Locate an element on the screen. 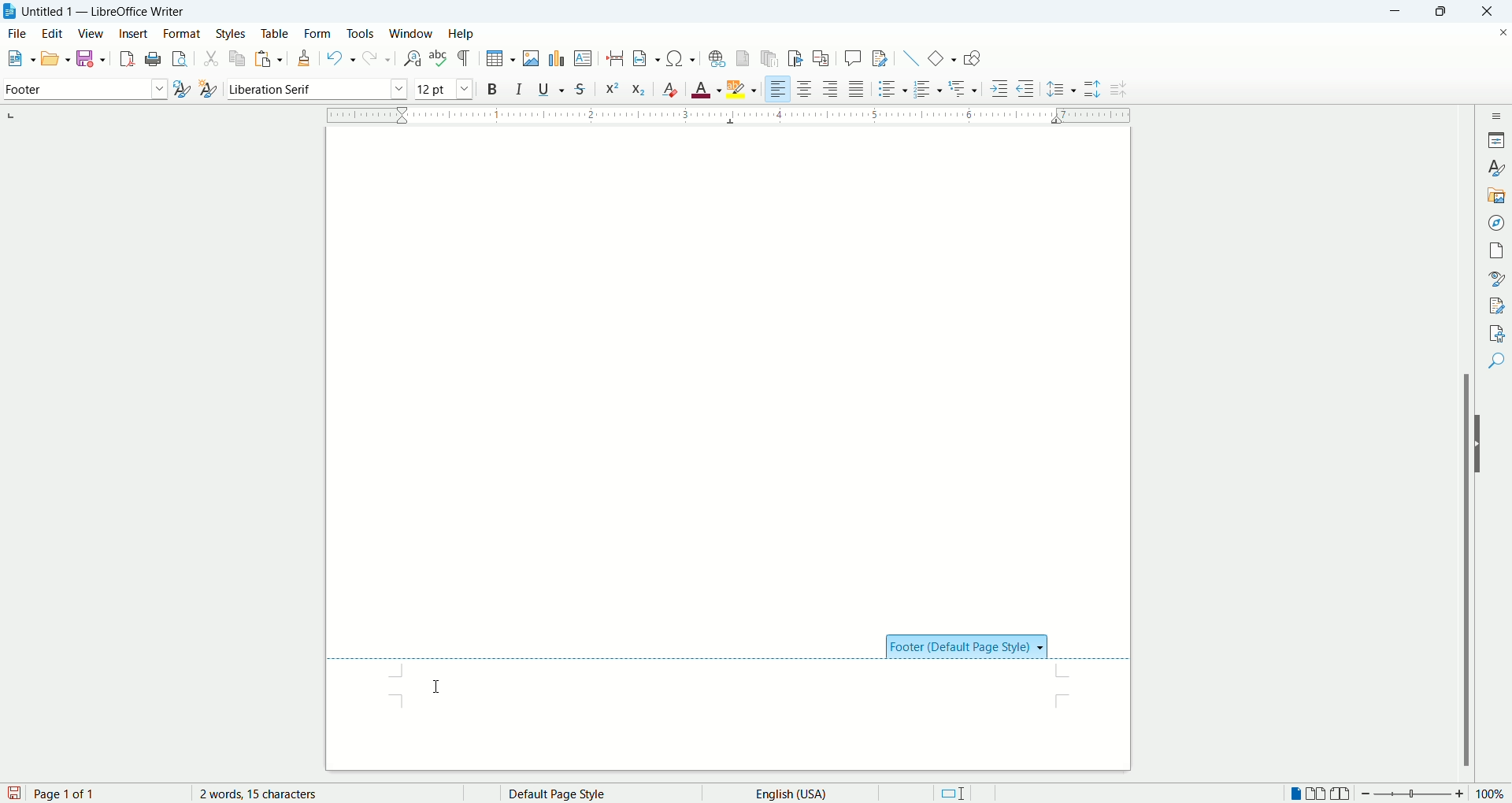 This screenshot has height=803, width=1512. print is located at coordinates (151, 59).